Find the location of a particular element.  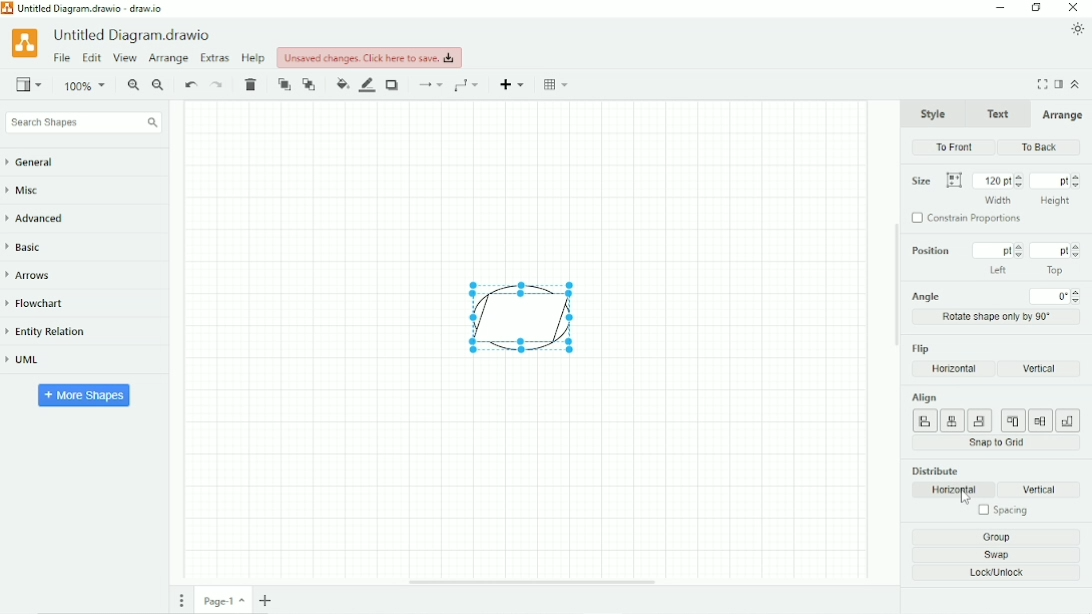

Line color is located at coordinates (368, 85).